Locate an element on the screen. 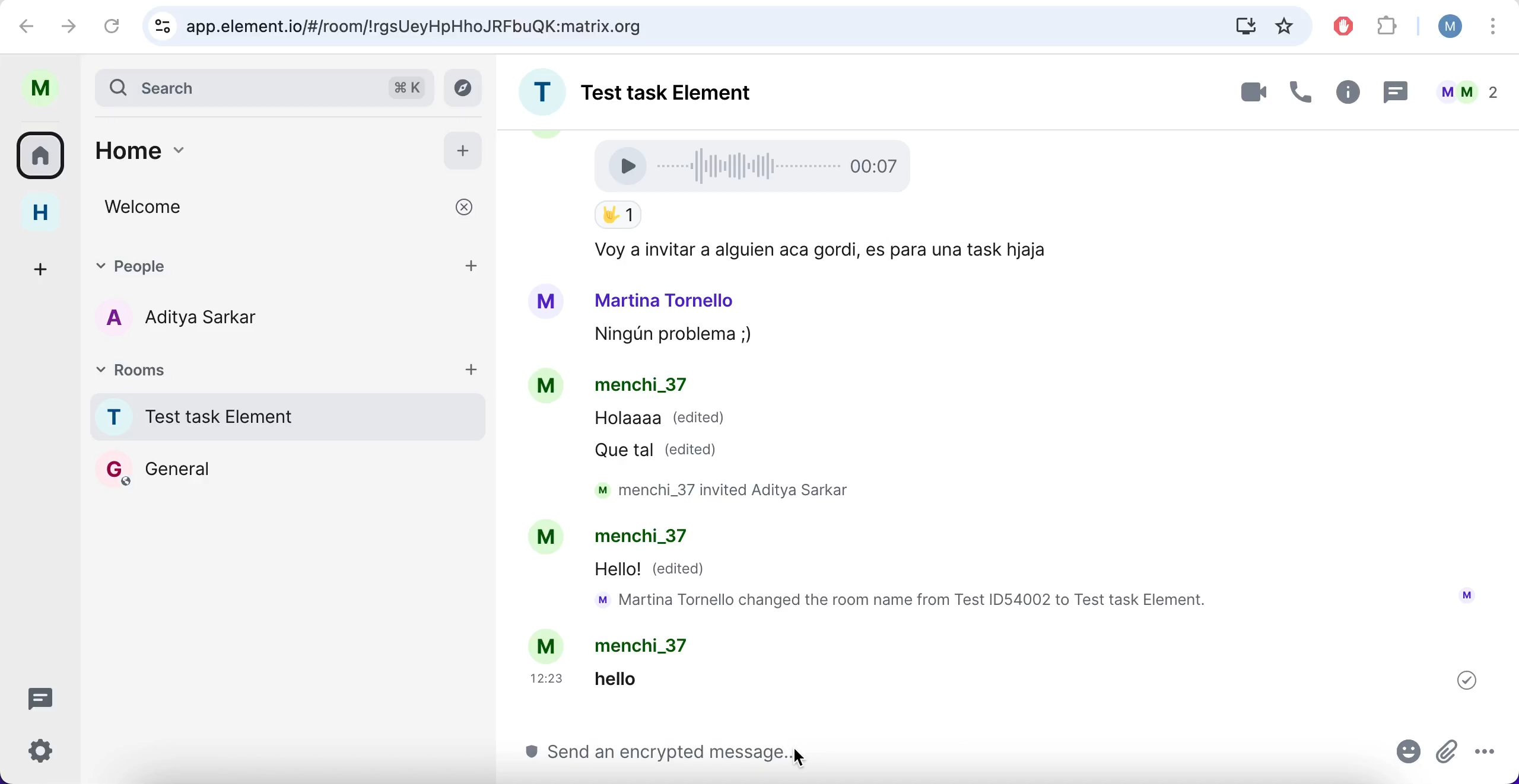 The image size is (1519, 784). menchi_37 is located at coordinates (647, 645).